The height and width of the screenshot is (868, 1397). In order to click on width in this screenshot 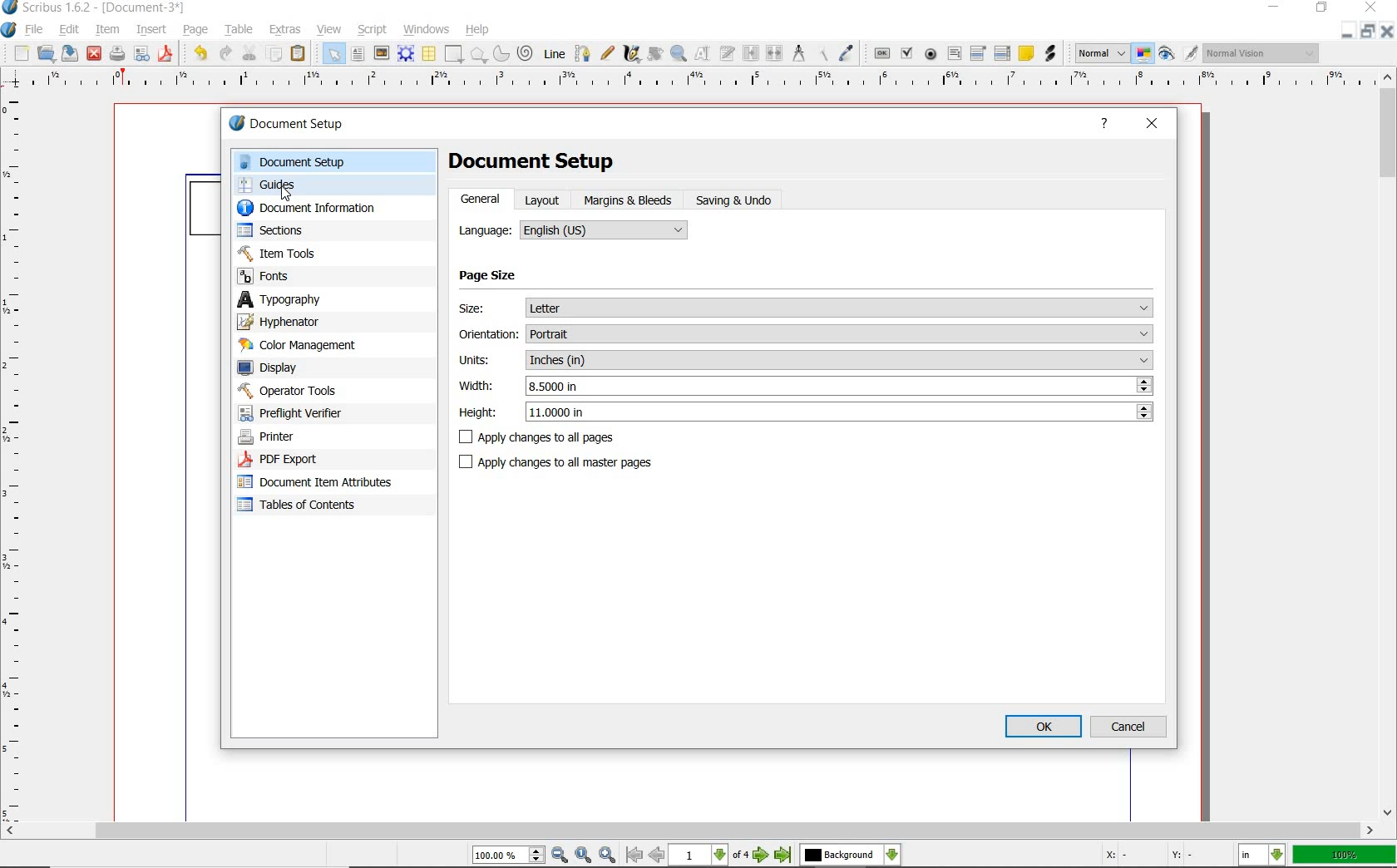, I will do `click(842, 386)`.